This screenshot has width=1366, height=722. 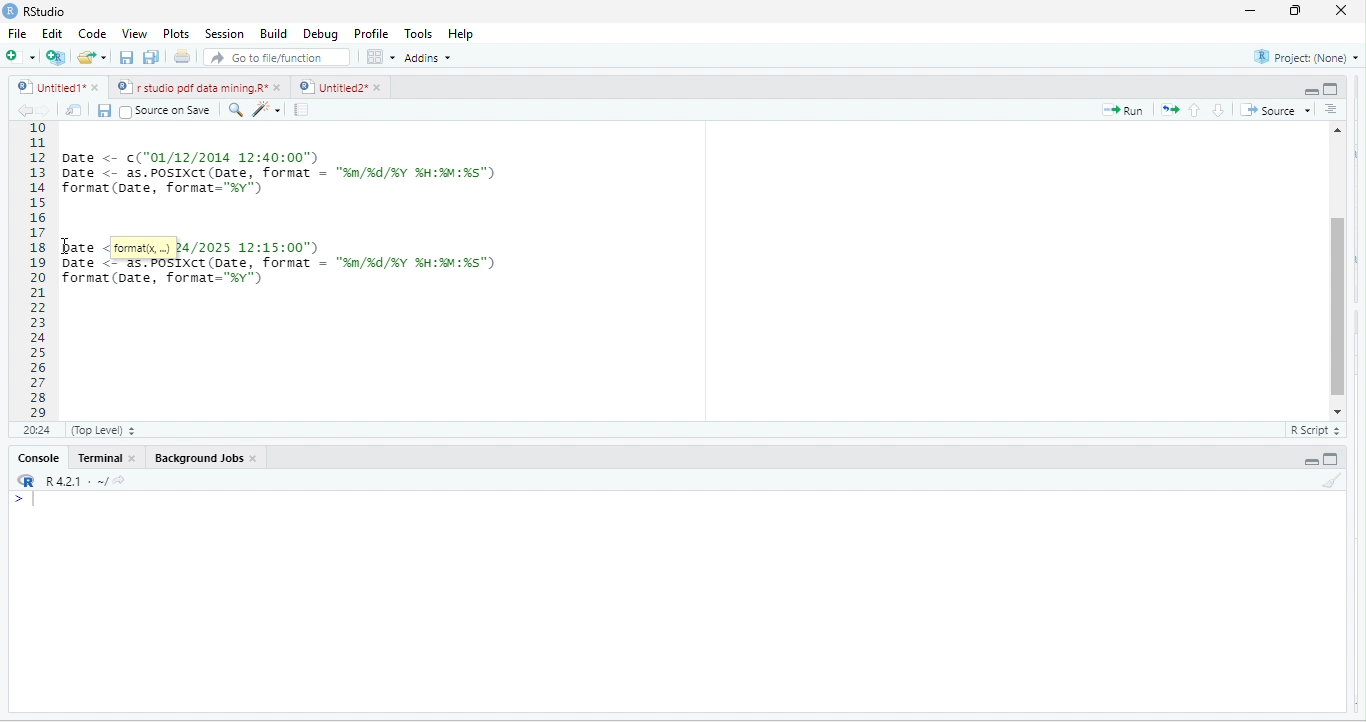 I want to click on Help, so click(x=462, y=35).